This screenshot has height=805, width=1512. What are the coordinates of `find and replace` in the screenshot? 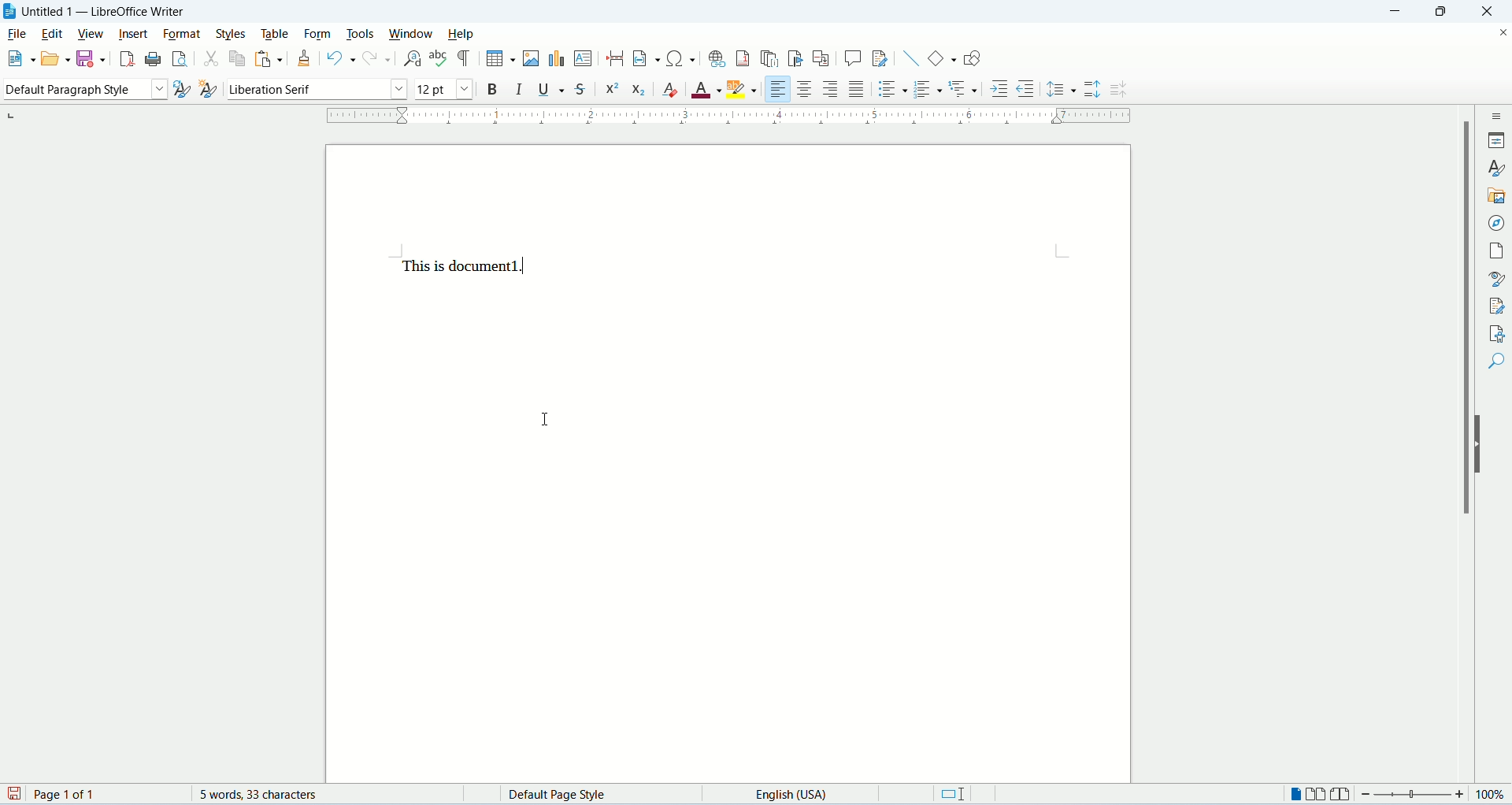 It's located at (410, 59).